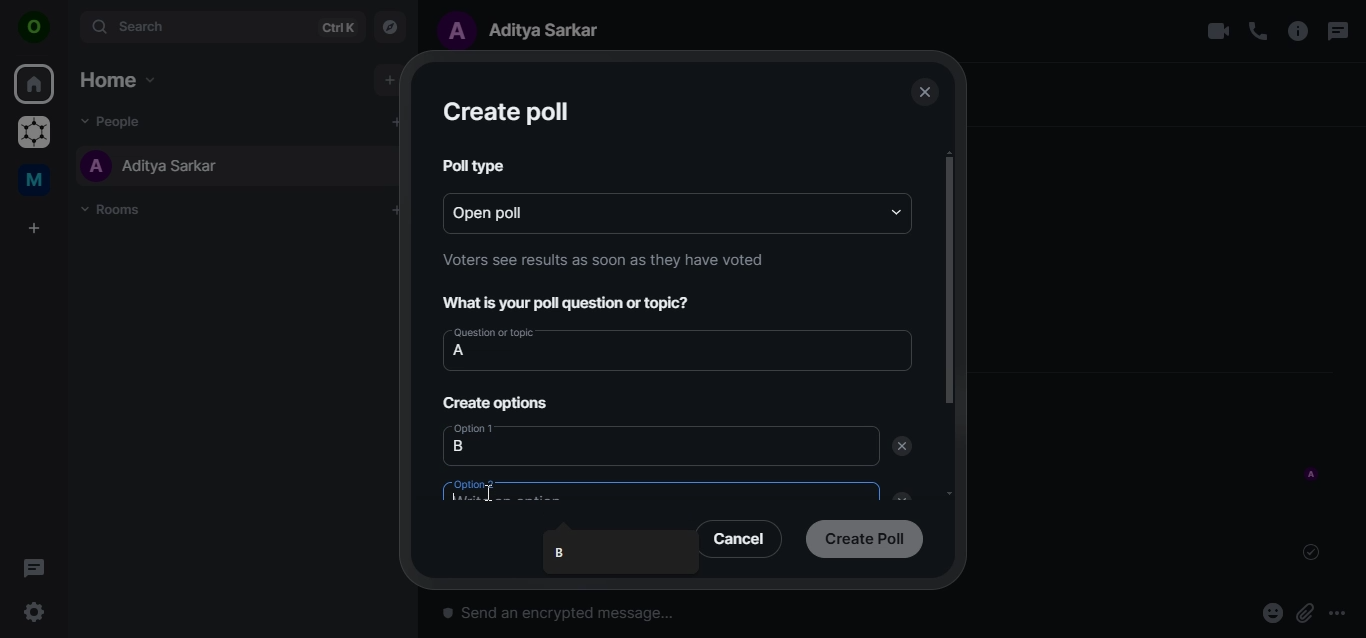  I want to click on voice call, so click(1258, 31).